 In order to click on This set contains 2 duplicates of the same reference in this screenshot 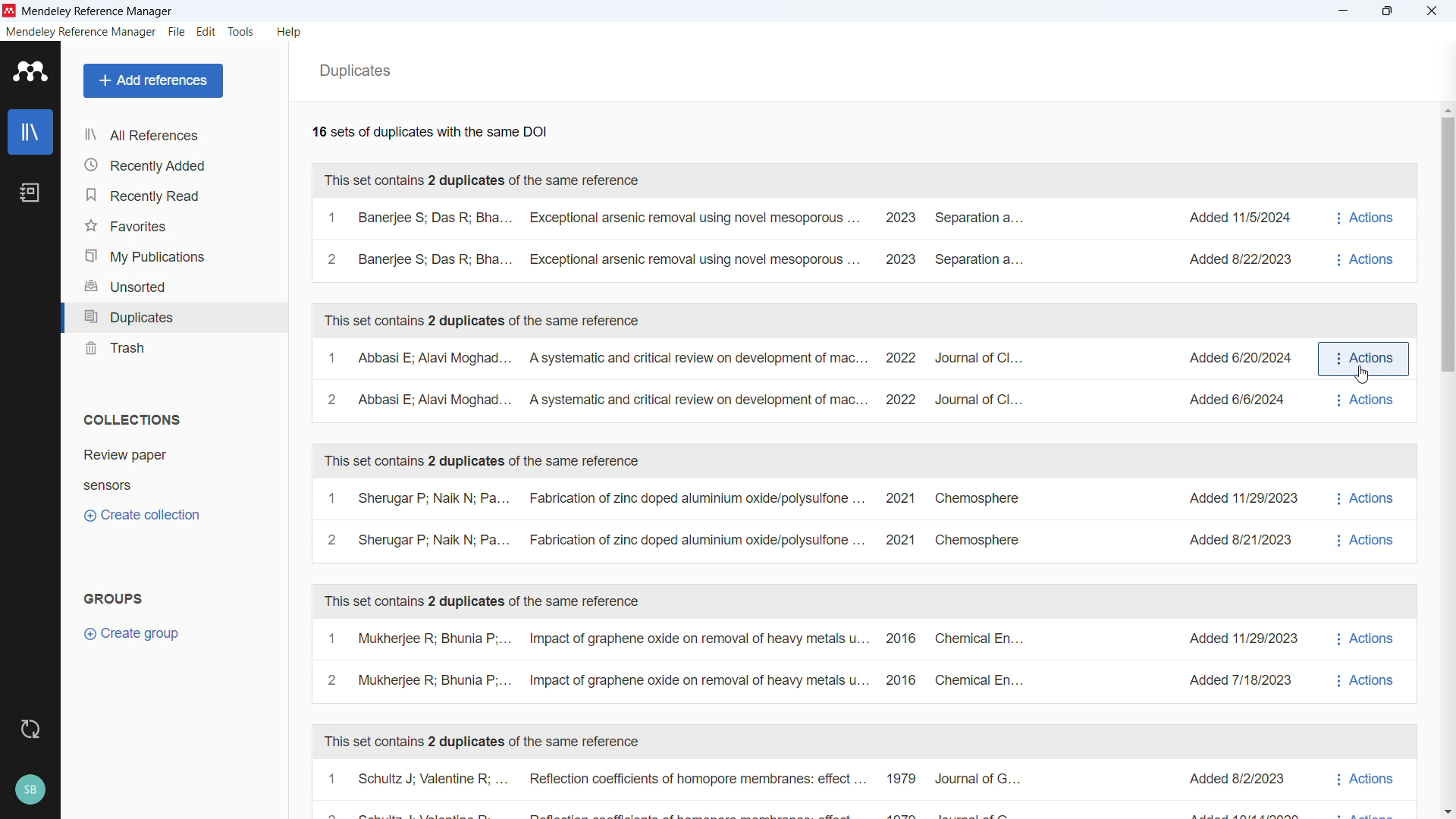, I will do `click(483, 181)`.